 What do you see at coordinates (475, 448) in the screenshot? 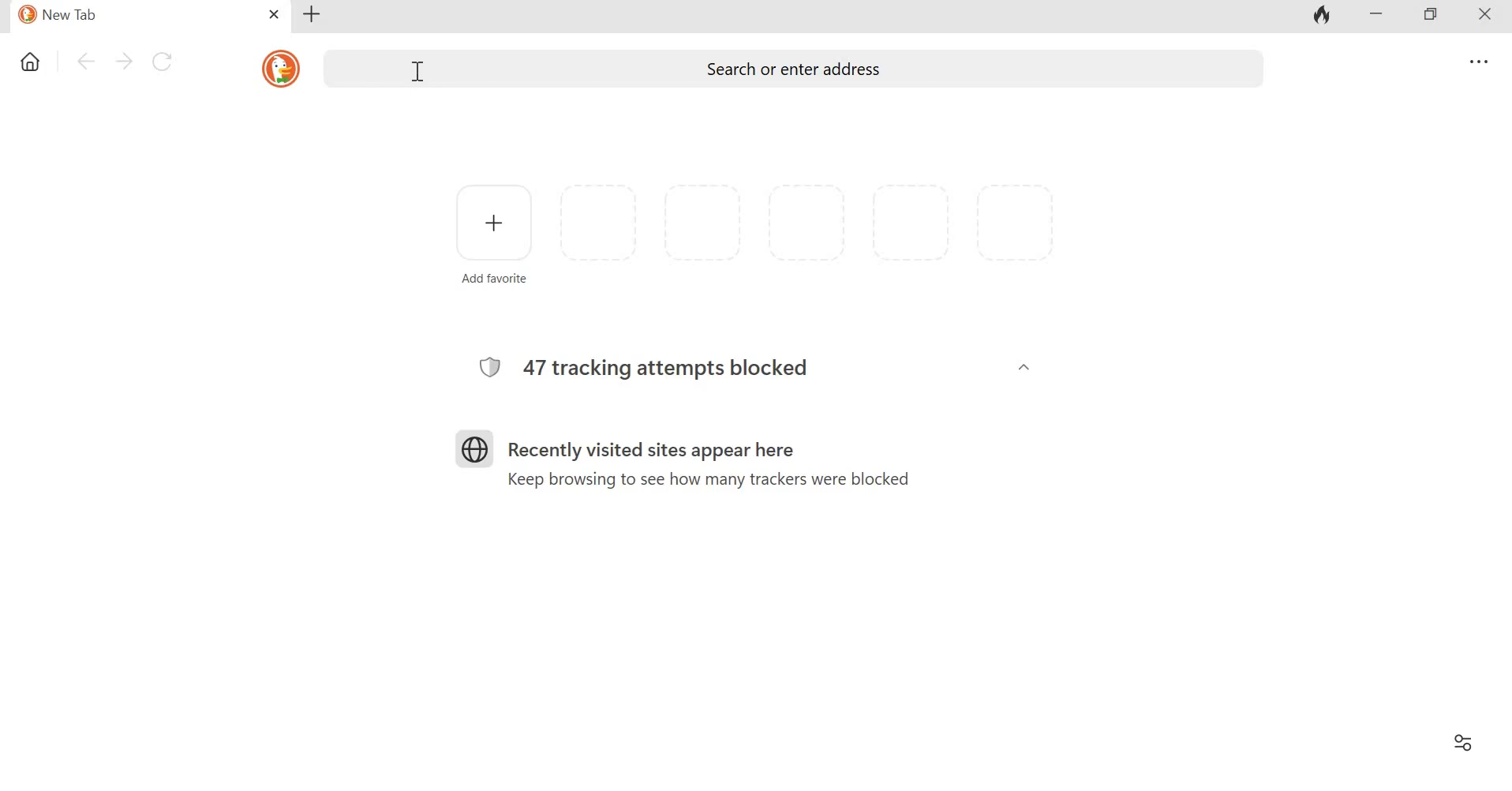
I see `globe icon` at bounding box center [475, 448].